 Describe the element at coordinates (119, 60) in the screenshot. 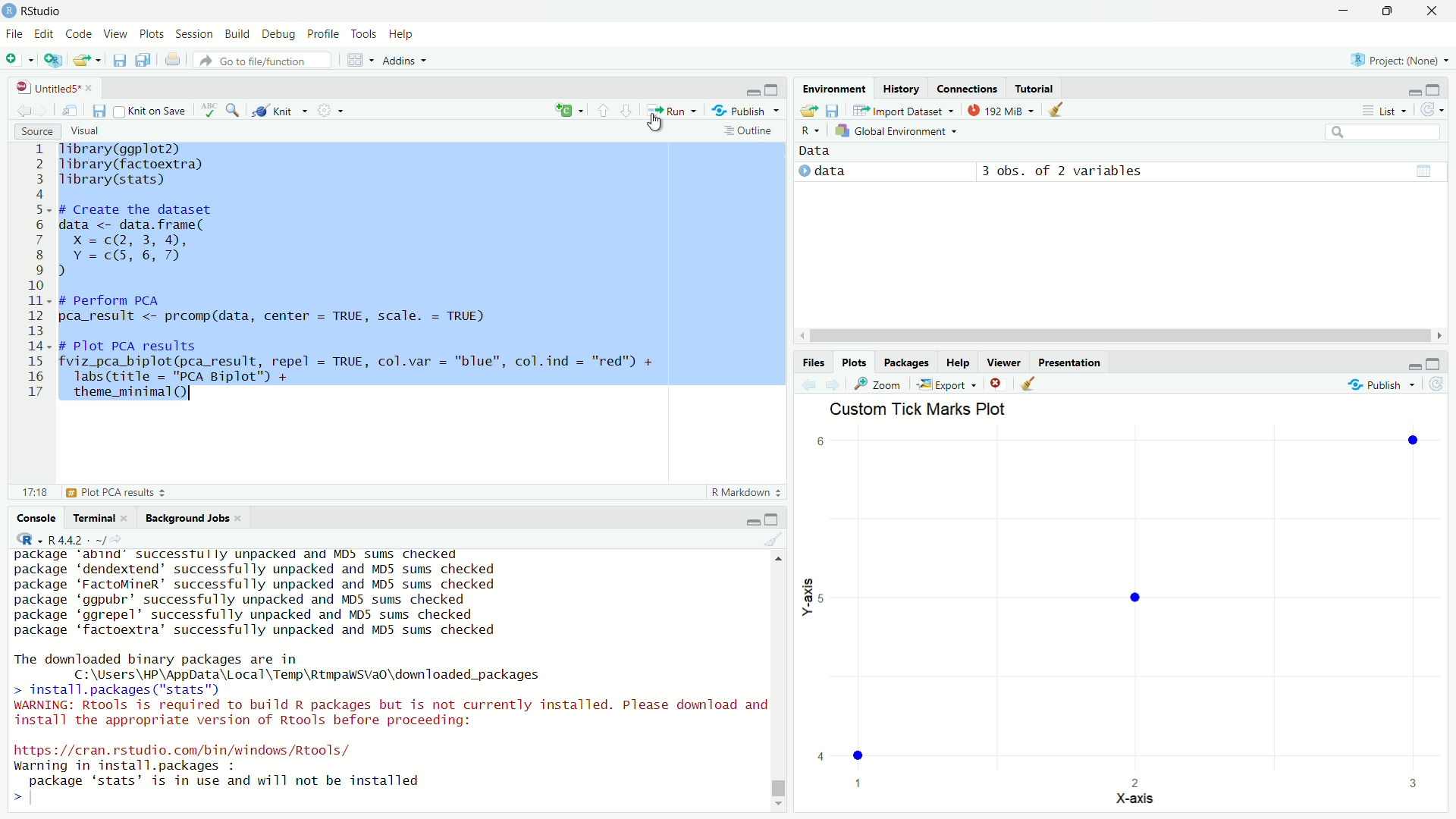

I see `save current document` at that location.